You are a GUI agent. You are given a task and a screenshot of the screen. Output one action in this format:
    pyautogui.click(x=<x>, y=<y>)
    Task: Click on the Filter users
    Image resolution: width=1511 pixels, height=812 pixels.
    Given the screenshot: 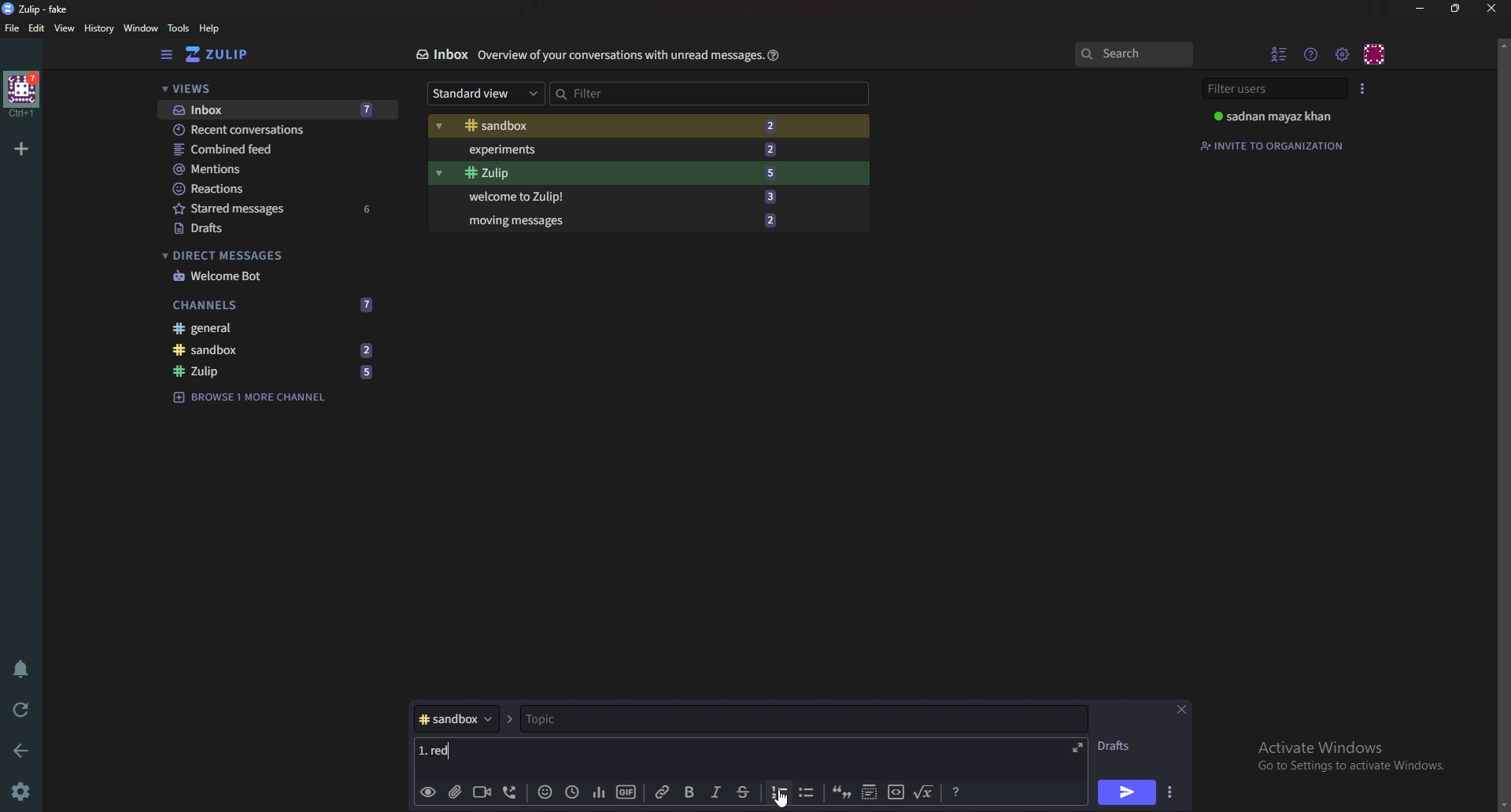 What is the action you would take?
    pyautogui.click(x=1273, y=89)
    